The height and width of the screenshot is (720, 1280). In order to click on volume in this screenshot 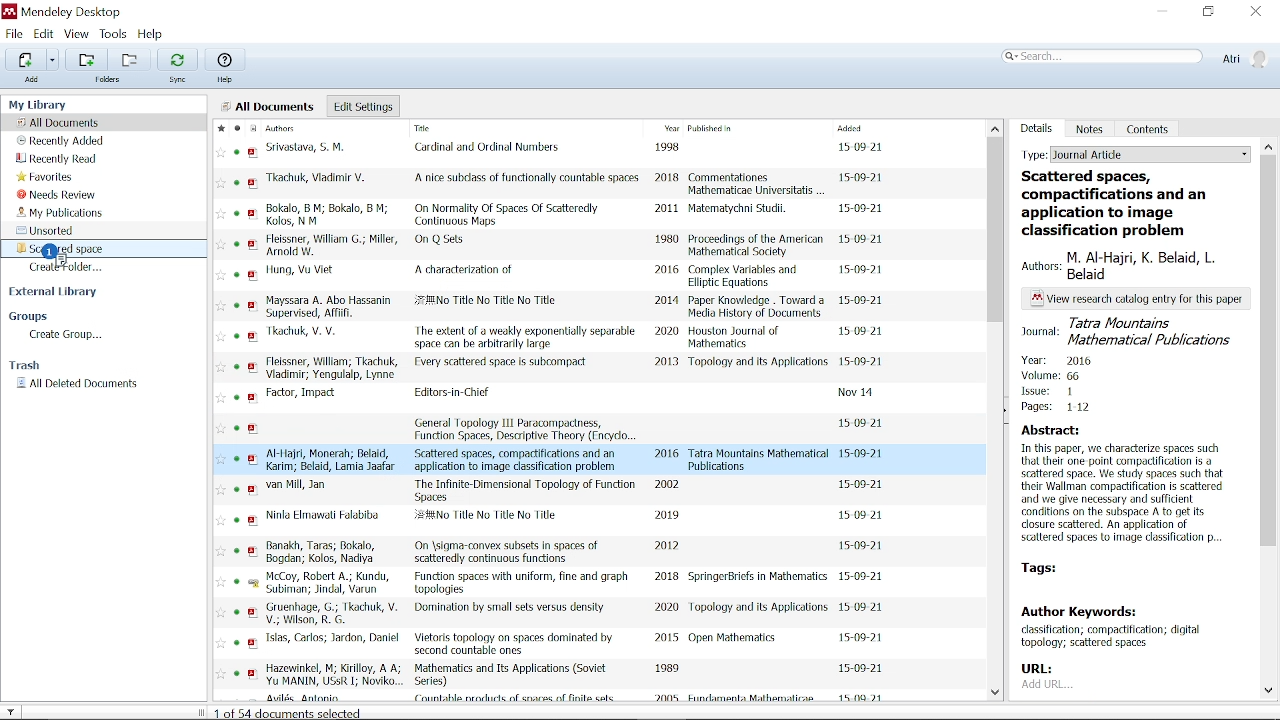, I will do `click(1052, 377)`.